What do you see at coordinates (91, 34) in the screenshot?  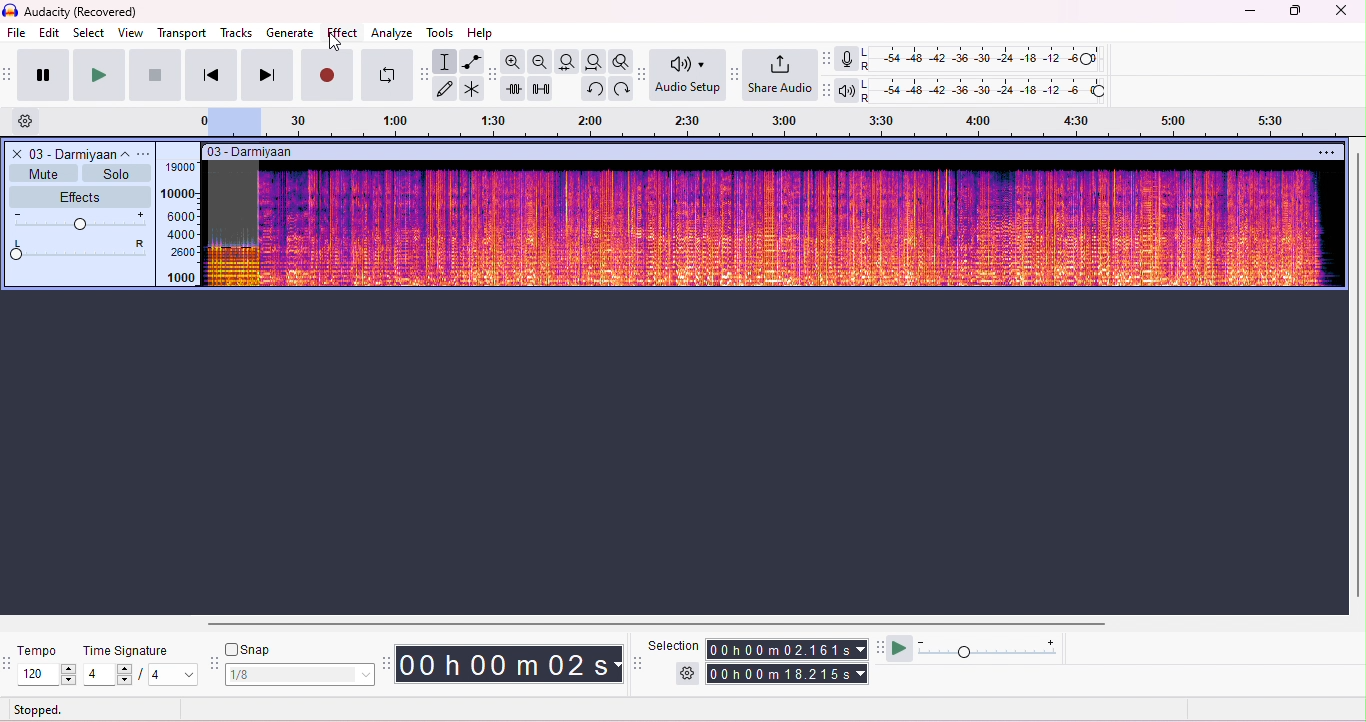 I see `select` at bounding box center [91, 34].